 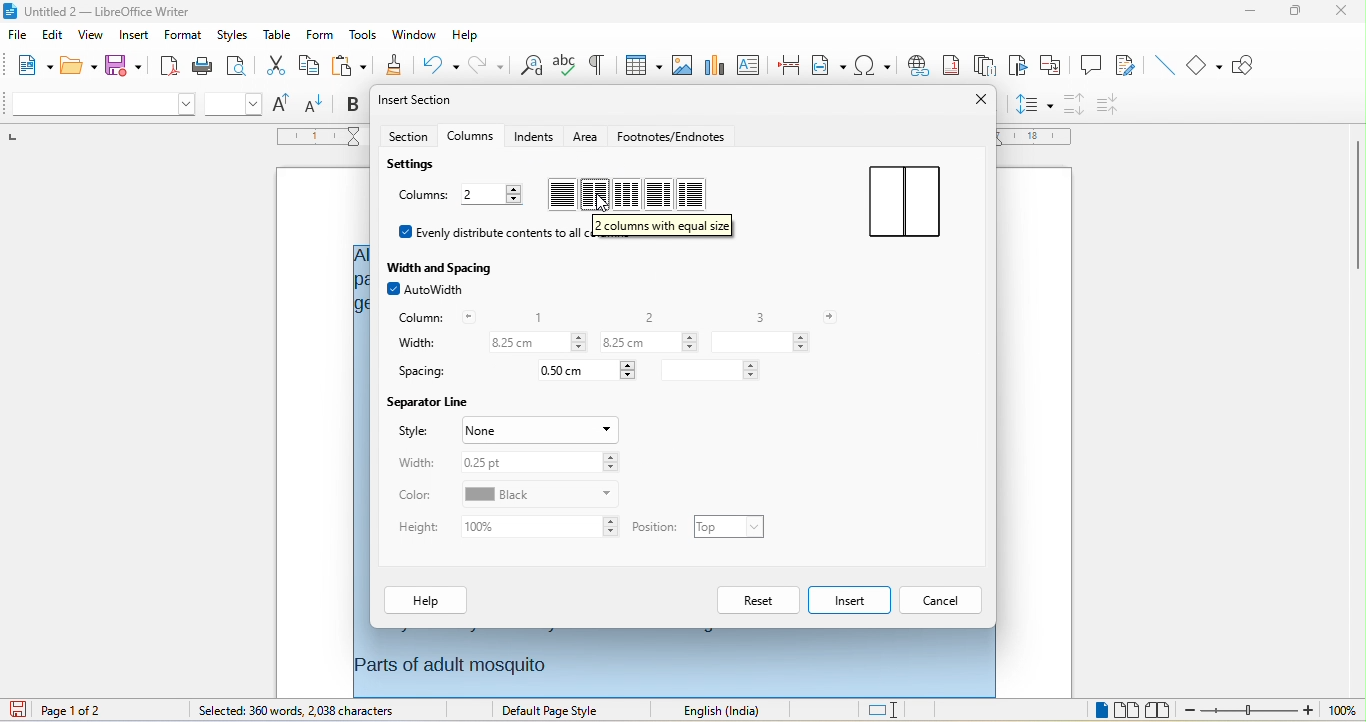 I want to click on copy, so click(x=308, y=67).